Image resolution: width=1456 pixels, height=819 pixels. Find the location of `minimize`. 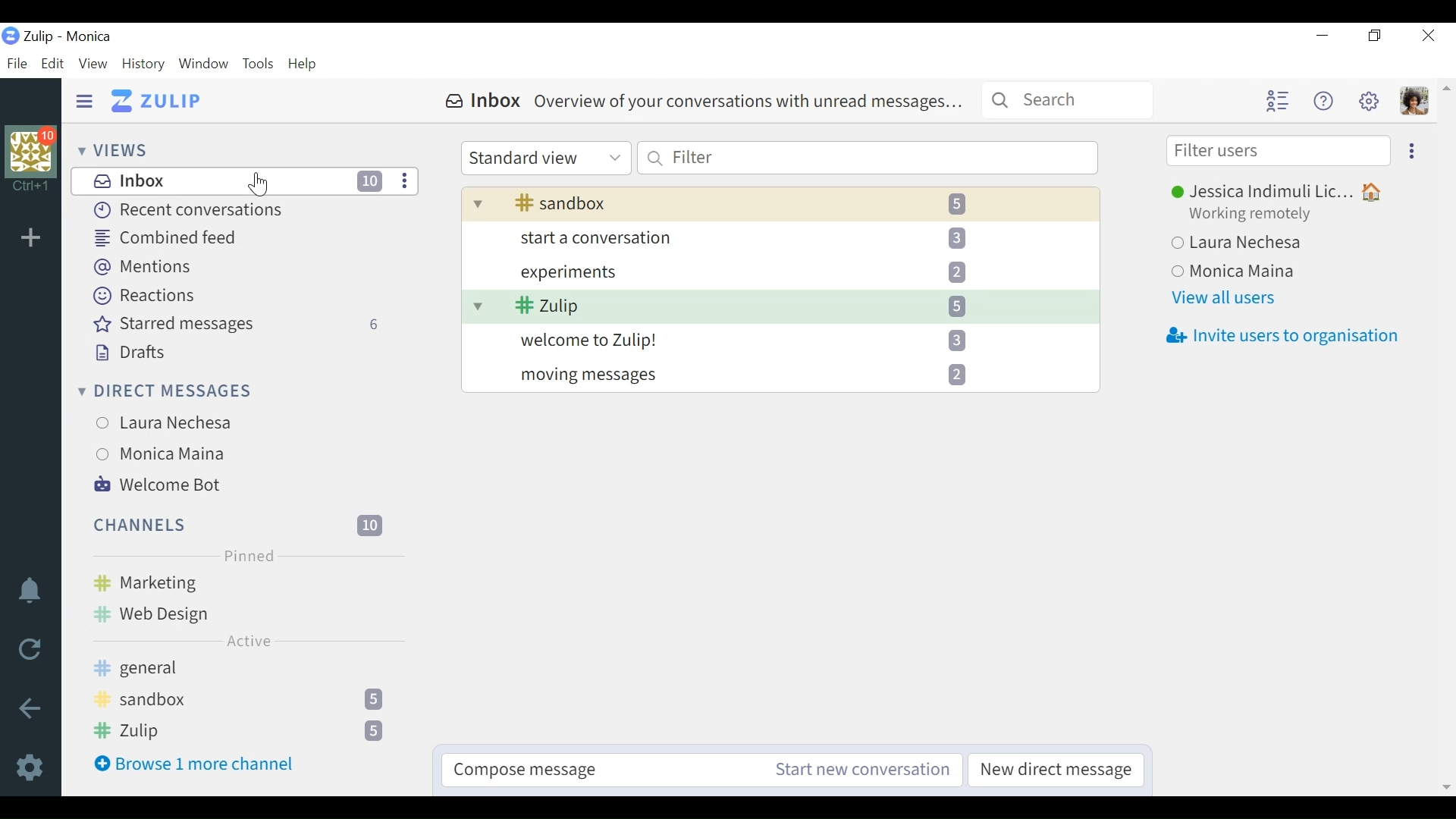

minimize is located at coordinates (1320, 36).